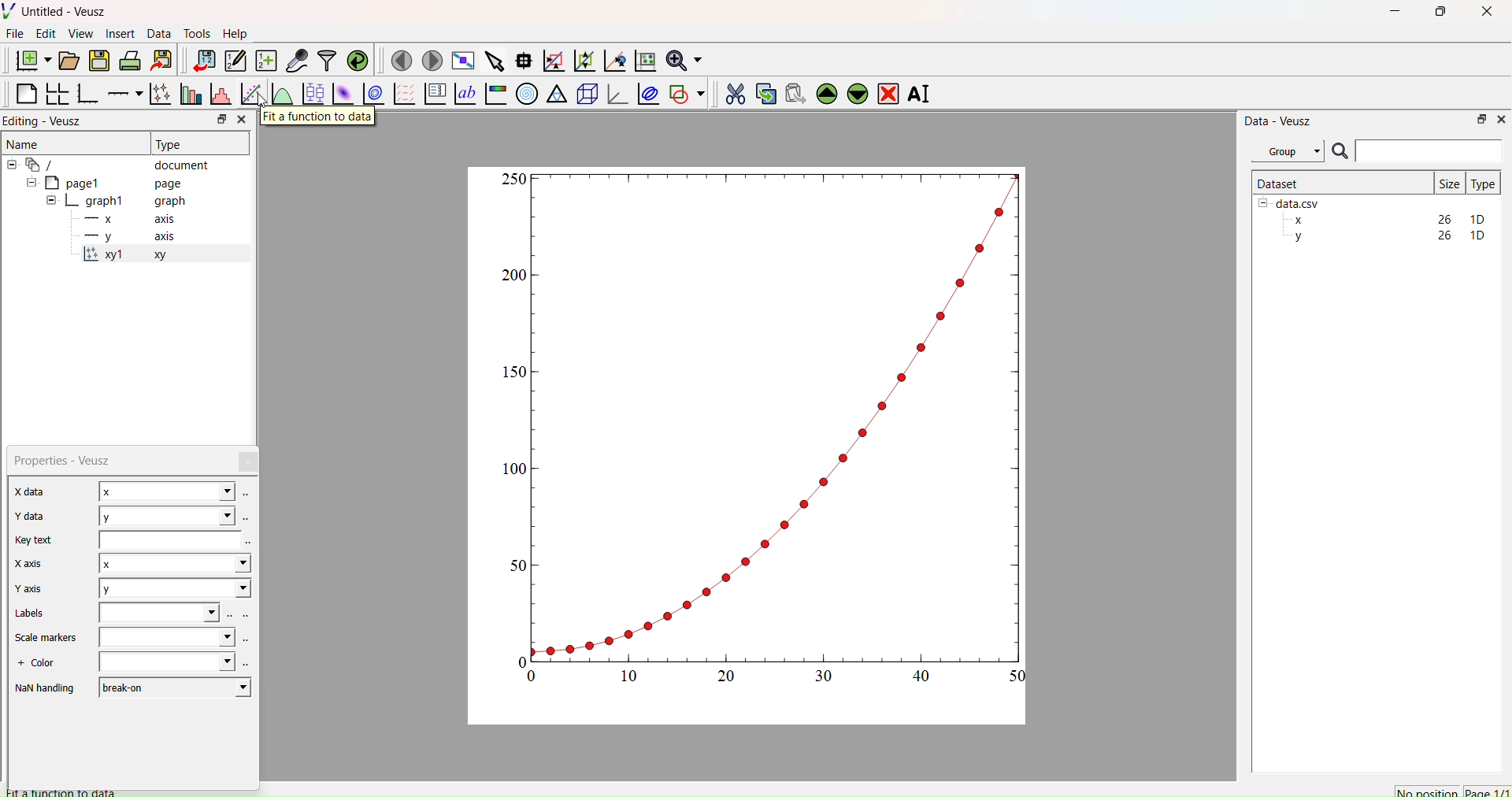 This screenshot has width=1512, height=797. Describe the element at coordinates (766, 427) in the screenshot. I see `Graph` at that location.